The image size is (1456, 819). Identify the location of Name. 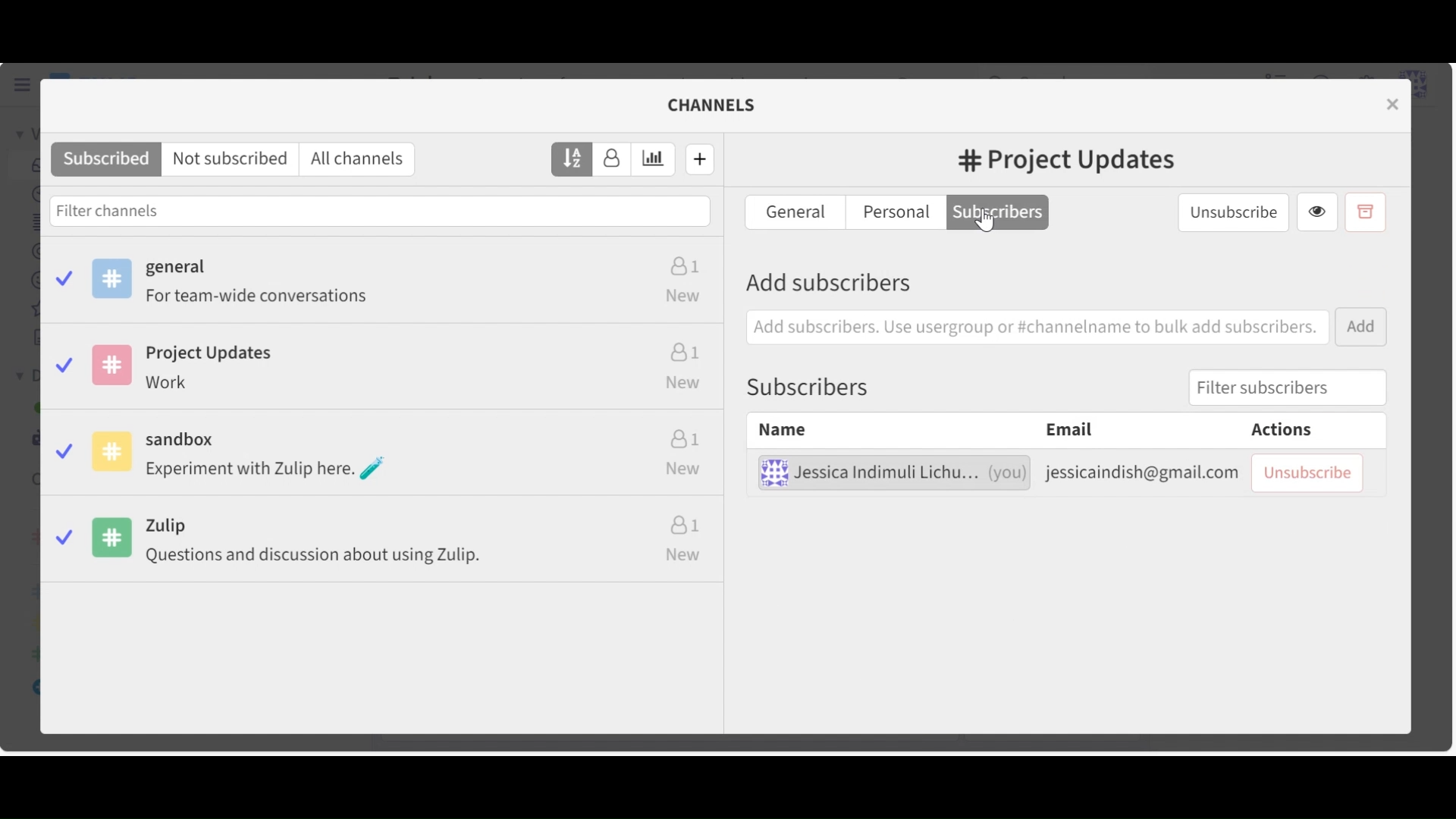
(893, 431).